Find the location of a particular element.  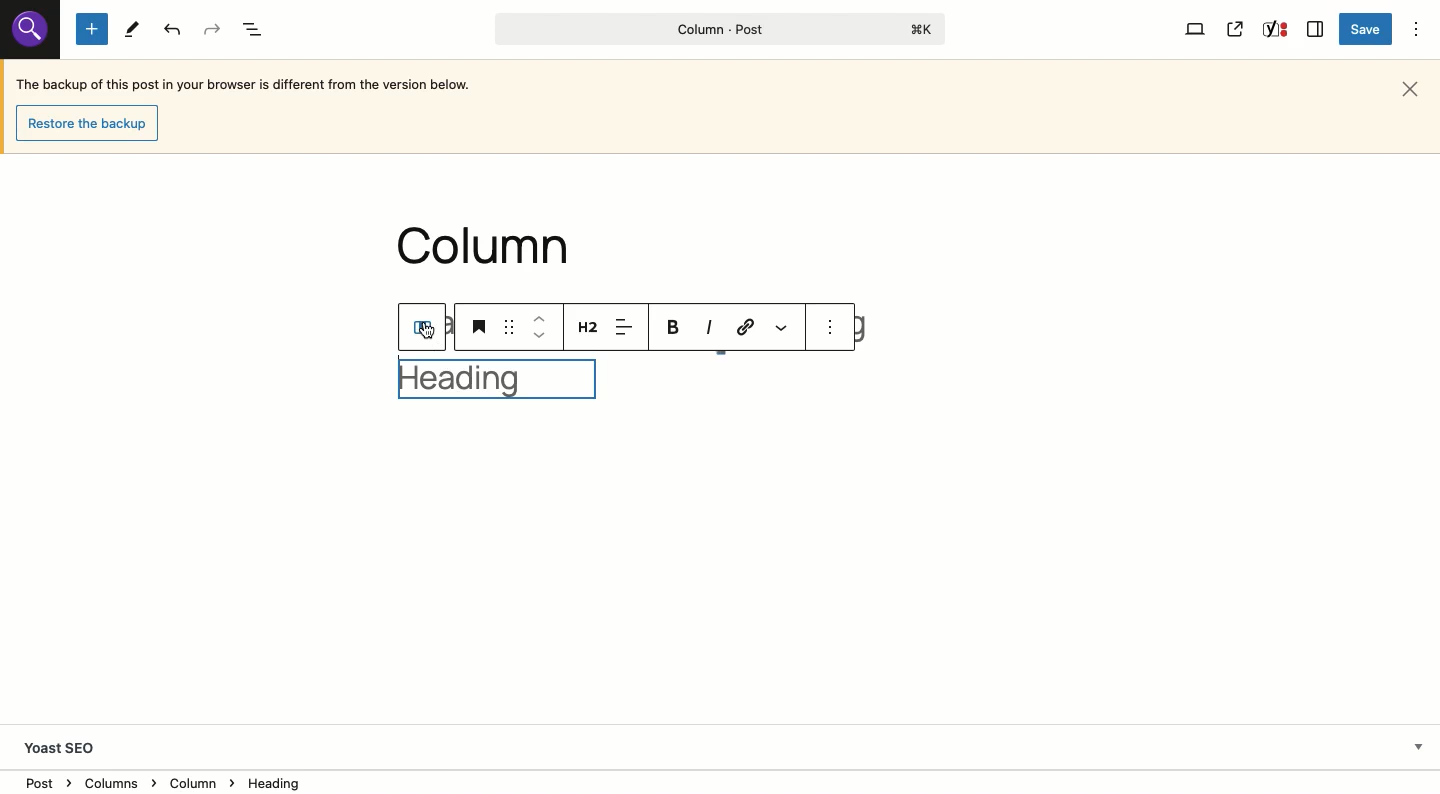

Bold is located at coordinates (675, 327).